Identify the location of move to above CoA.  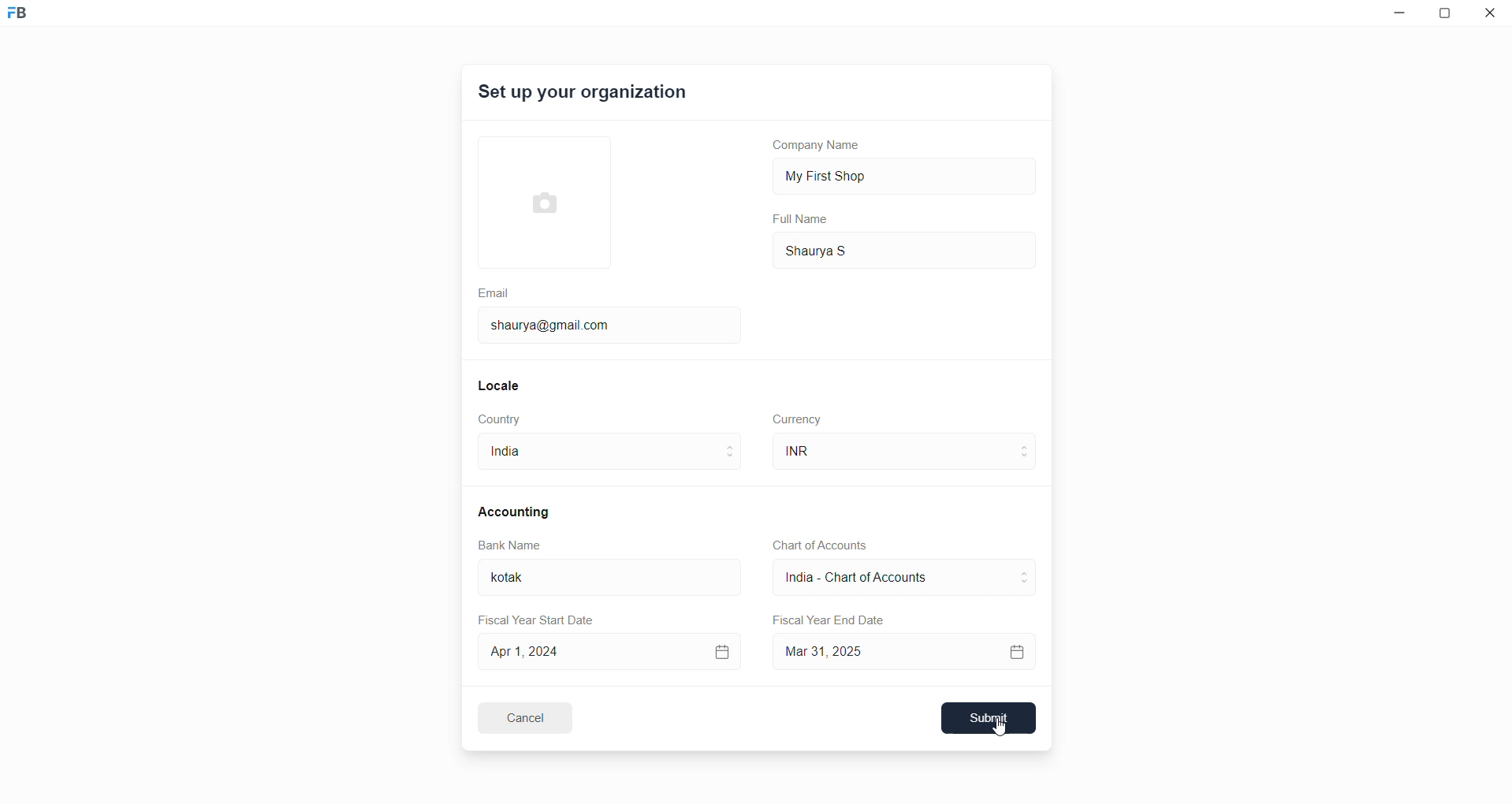
(1028, 571).